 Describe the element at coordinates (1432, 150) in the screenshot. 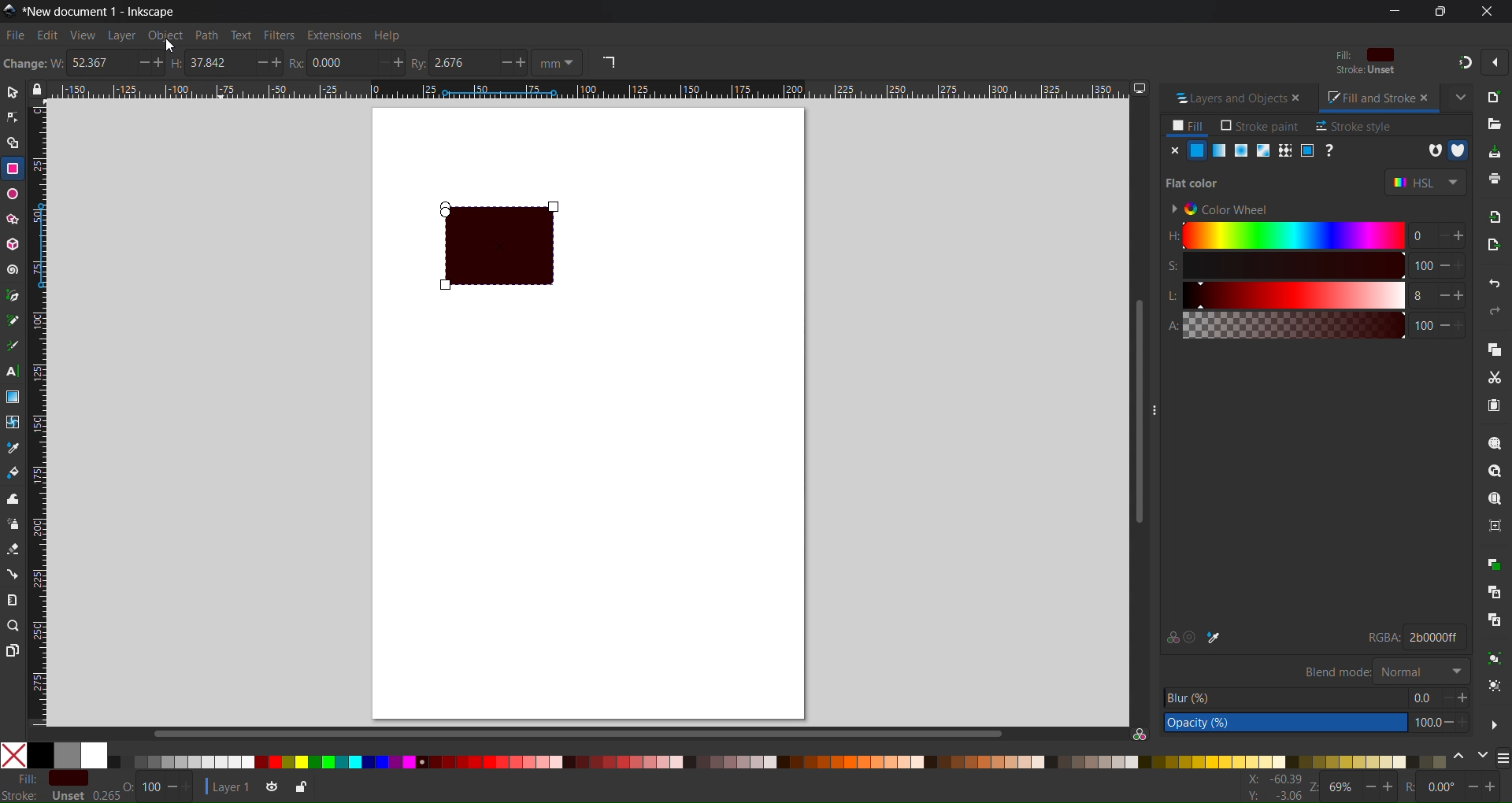

I see `Evenodd` at that location.